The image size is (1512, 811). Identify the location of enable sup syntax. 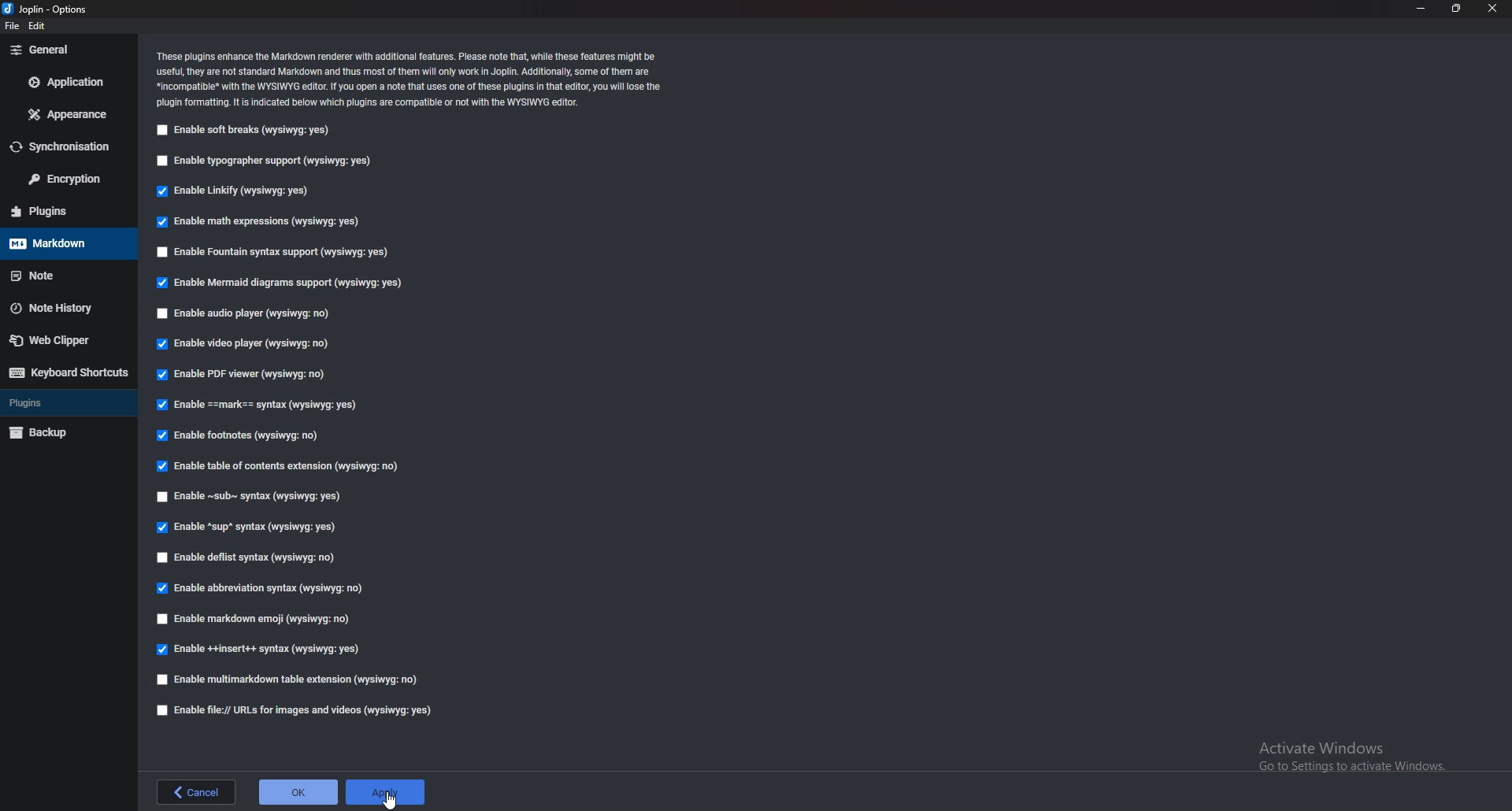
(247, 526).